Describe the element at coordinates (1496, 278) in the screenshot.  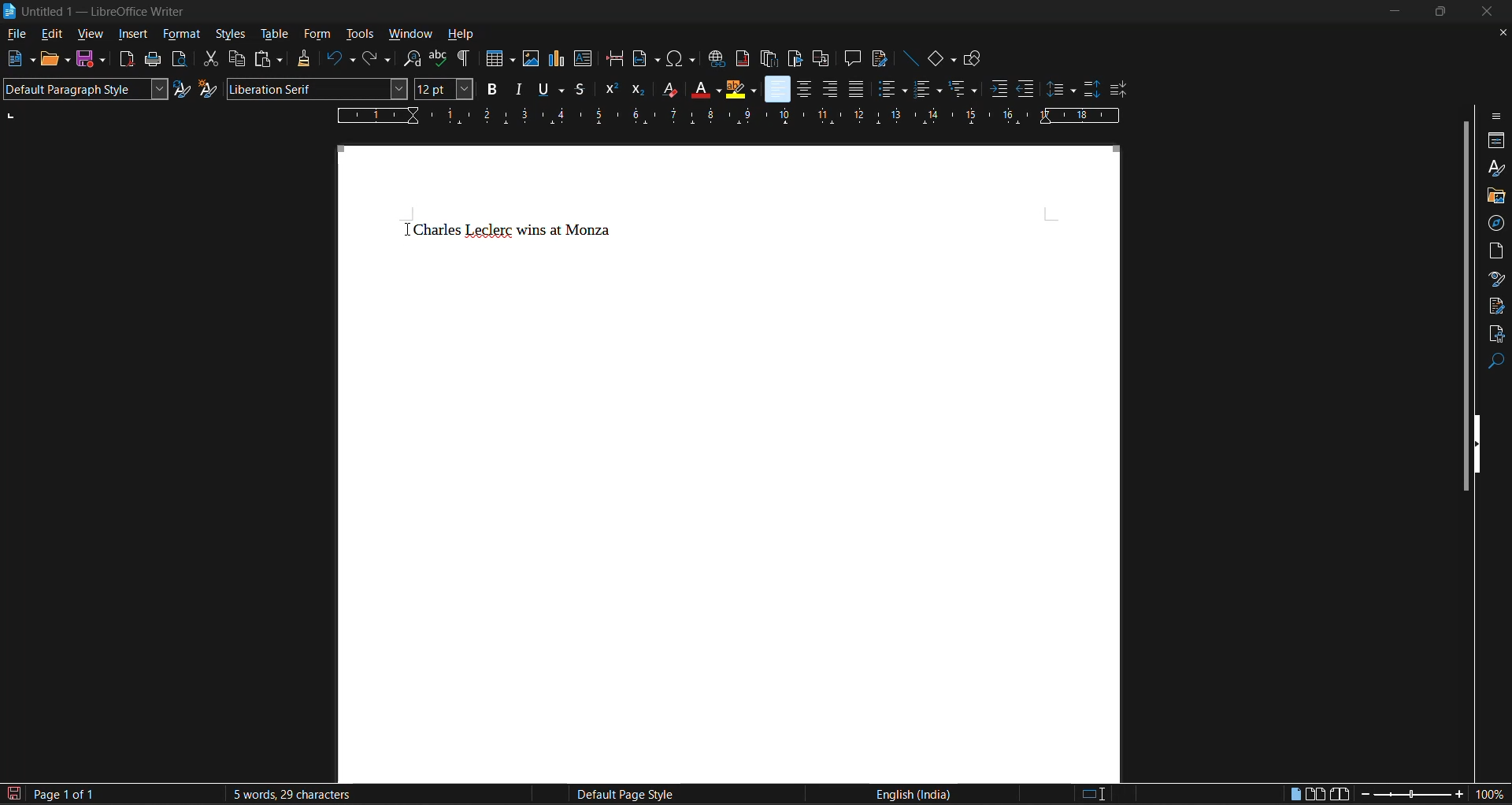
I see `style inspector` at that location.